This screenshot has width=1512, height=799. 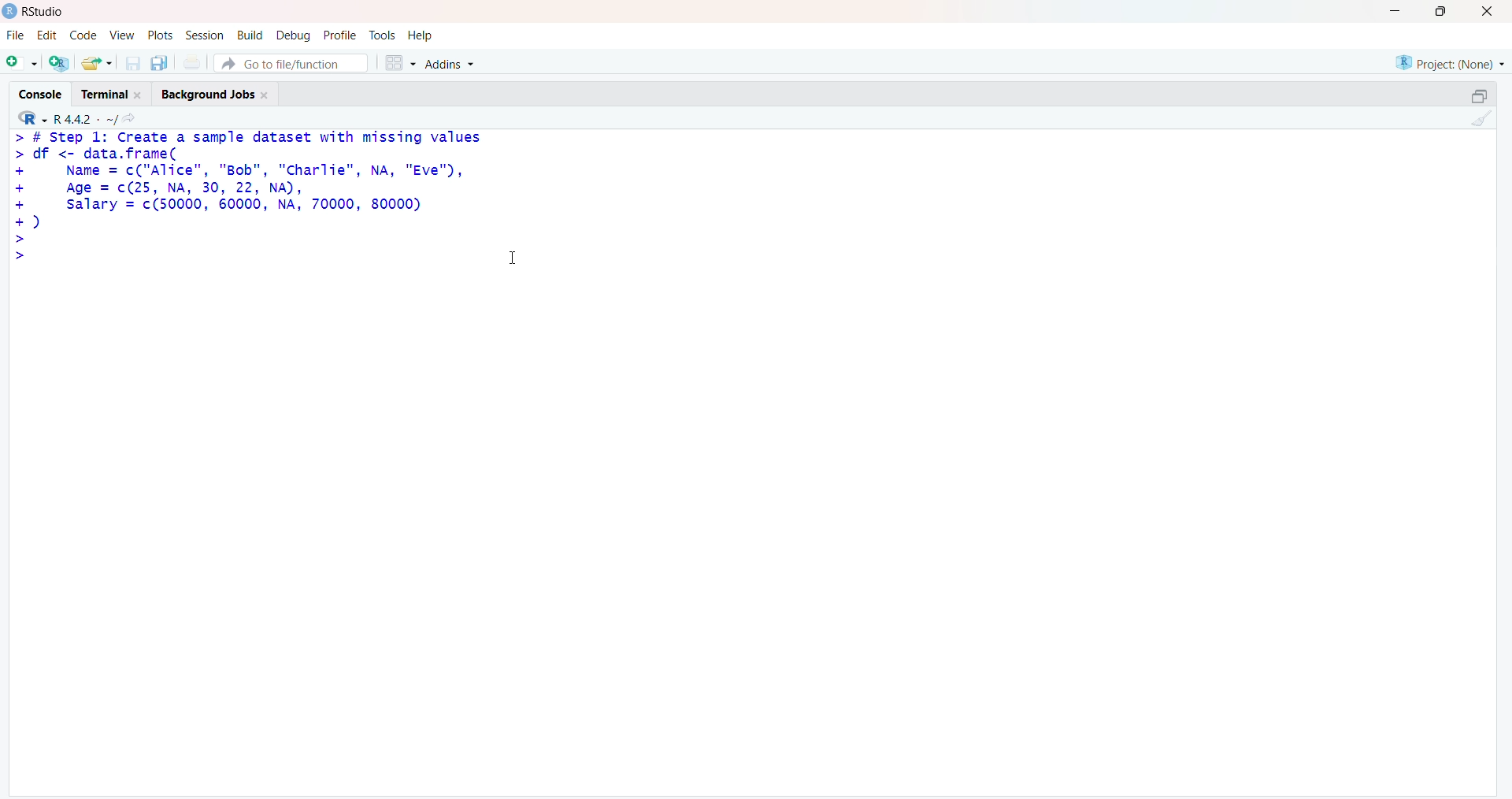 What do you see at coordinates (94, 63) in the screenshot?
I see `Open an existing file (Ctrl + O)` at bounding box center [94, 63].